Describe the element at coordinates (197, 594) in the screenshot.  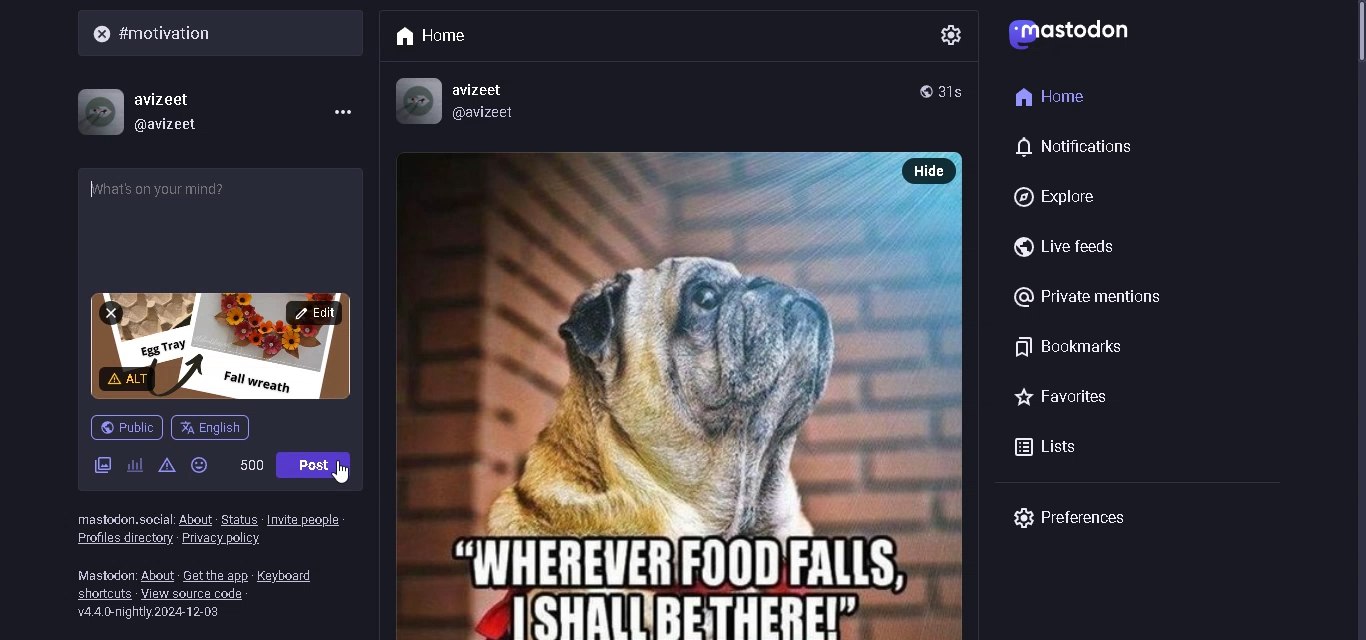
I see `view source code` at that location.